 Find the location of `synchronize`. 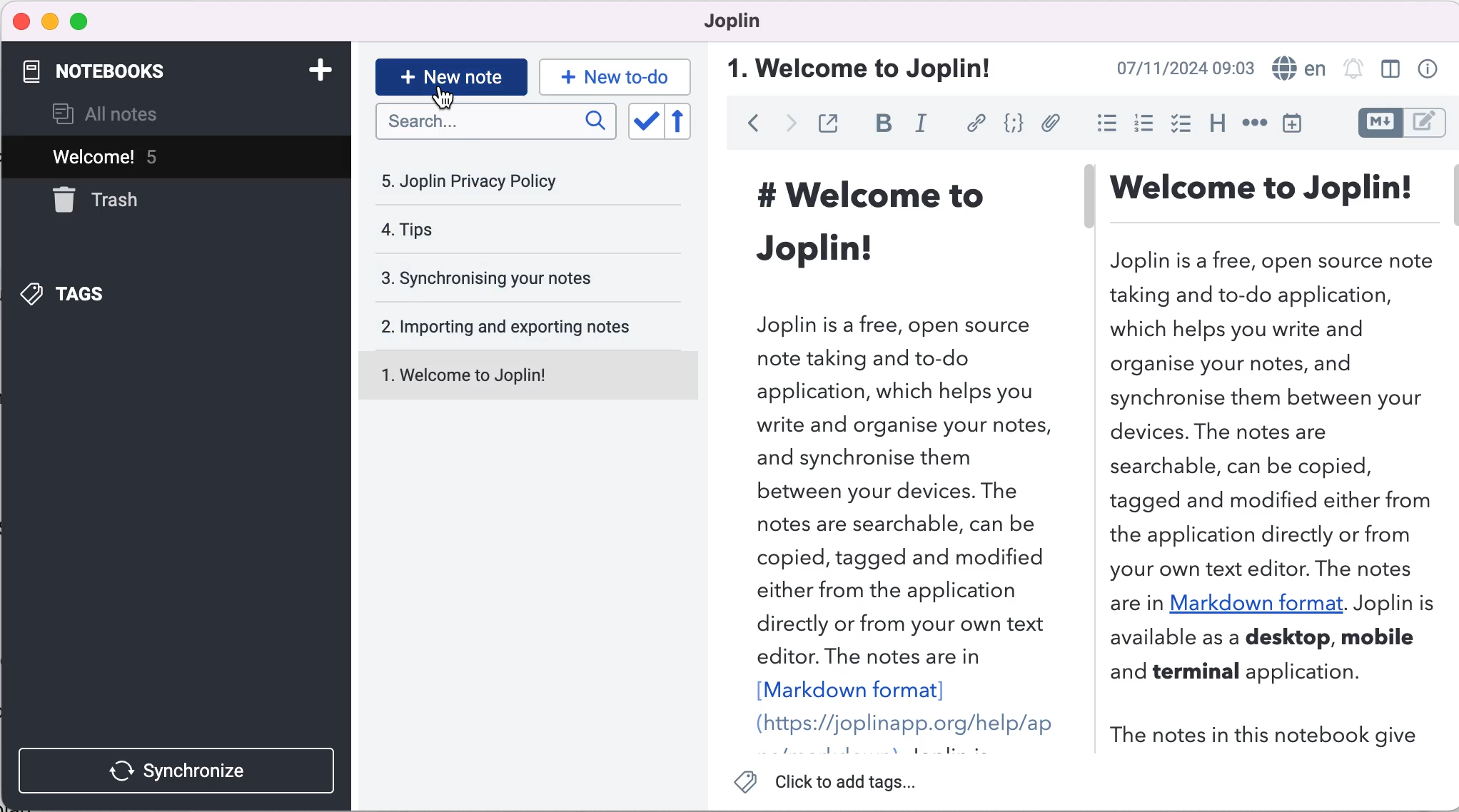

synchronize is located at coordinates (180, 766).